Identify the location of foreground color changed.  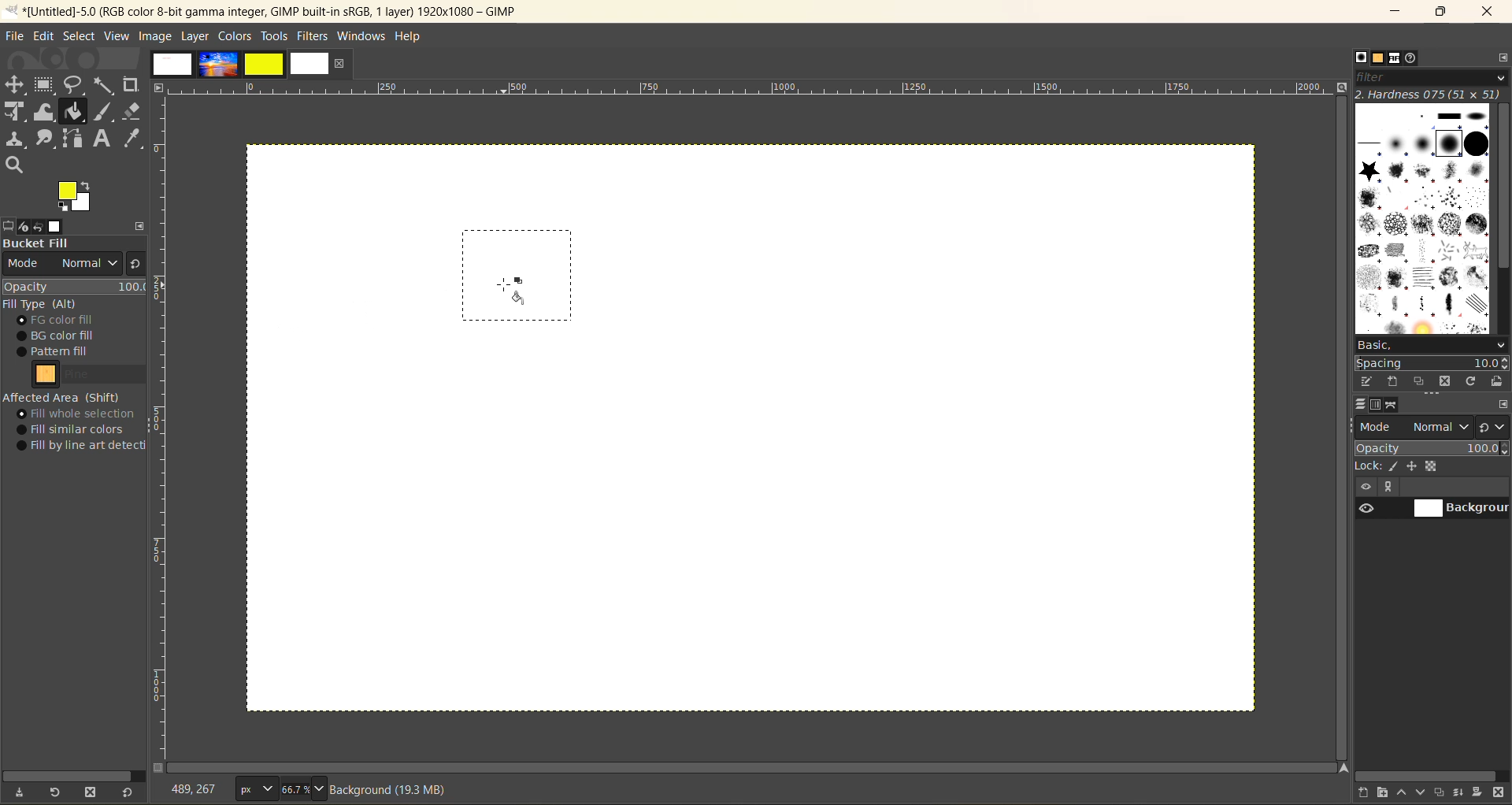
(74, 198).